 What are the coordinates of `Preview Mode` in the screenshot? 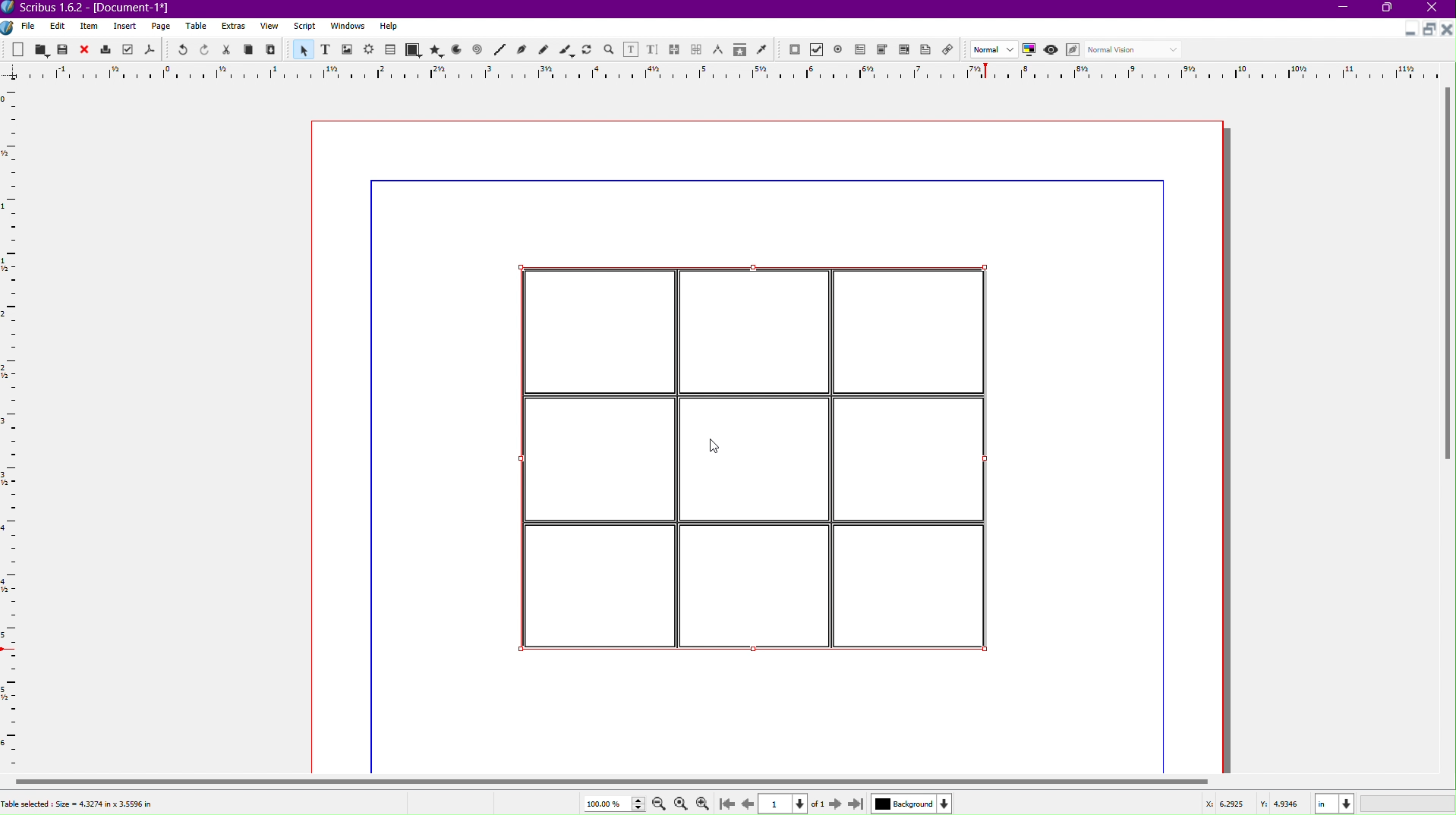 It's located at (1053, 51).